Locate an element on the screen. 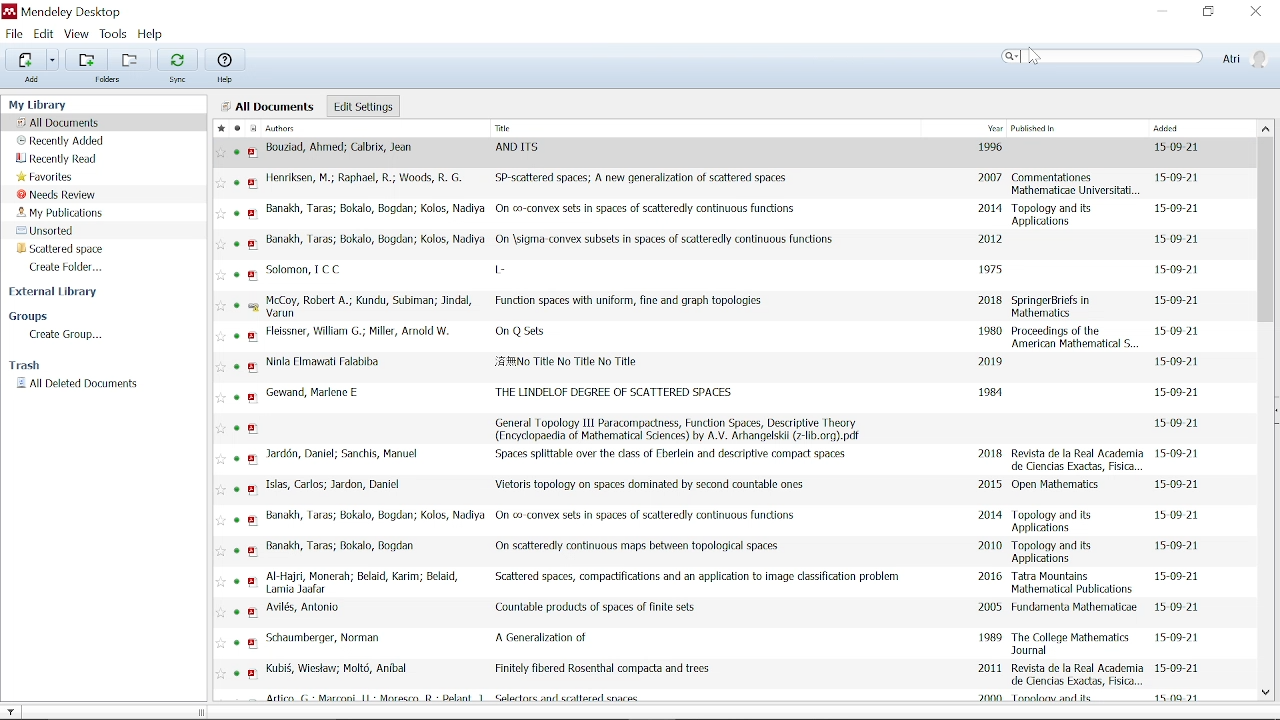 This screenshot has height=720, width=1280. Jardén, Daniel; Sanchis, Manuel ‘Spaces splittable over the dass of Fberlein and descriptive compact spaces. 2018 Revista de la Real Academia de Ciencias Exactas, Fisica 15-09-21 is located at coordinates (727, 460).